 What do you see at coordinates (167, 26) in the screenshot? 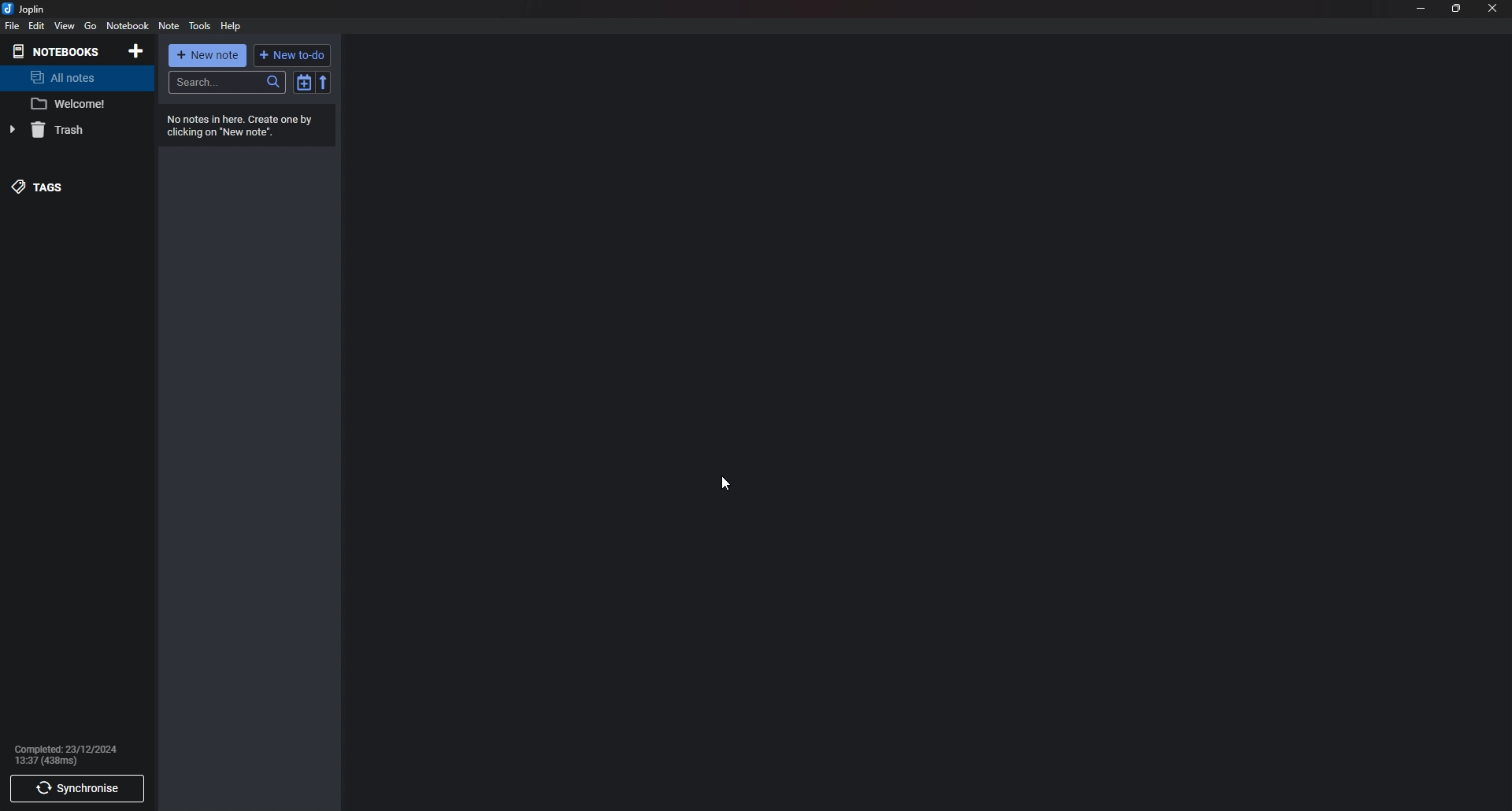
I see `note` at bounding box center [167, 26].